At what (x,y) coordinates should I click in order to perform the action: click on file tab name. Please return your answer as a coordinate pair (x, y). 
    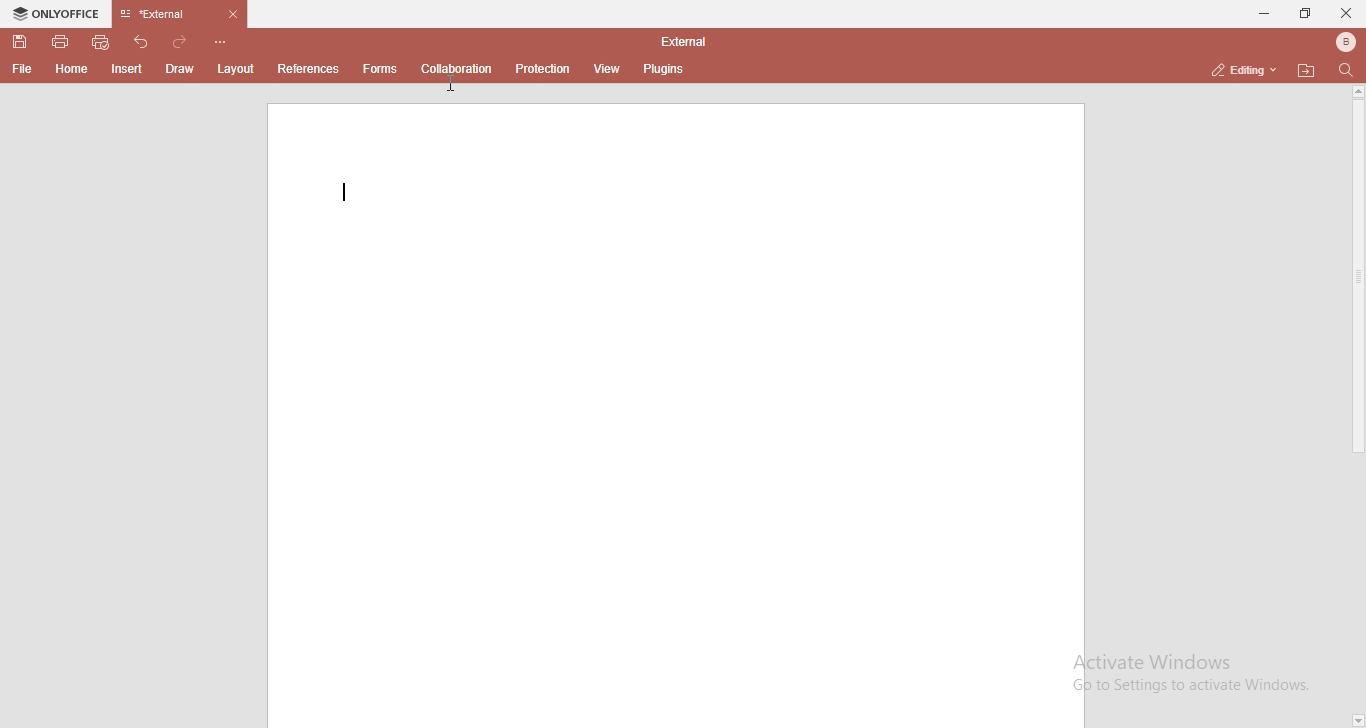
    Looking at the image, I should click on (182, 14).